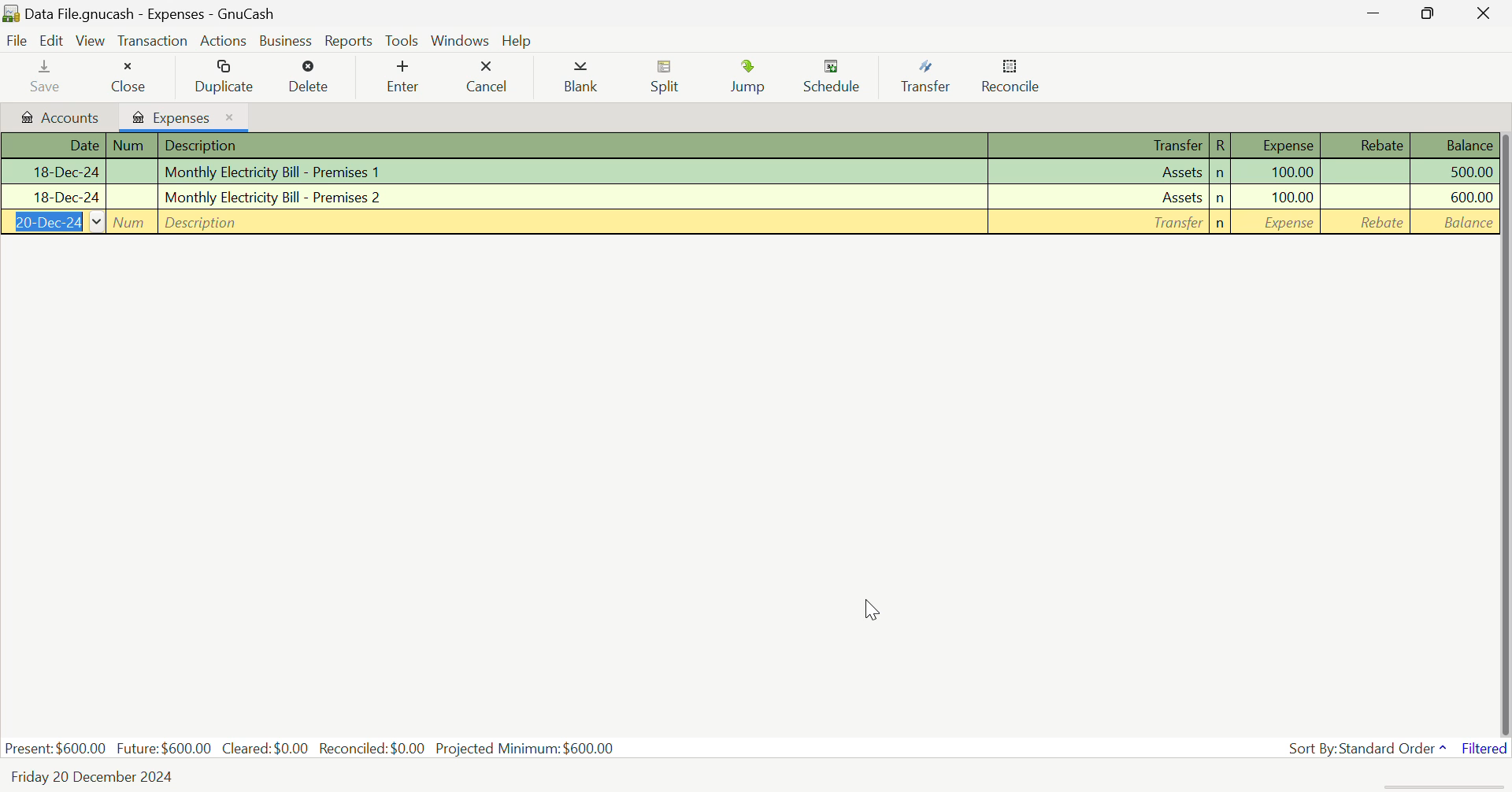 Image resolution: width=1512 pixels, height=792 pixels. I want to click on Reports, so click(348, 39).